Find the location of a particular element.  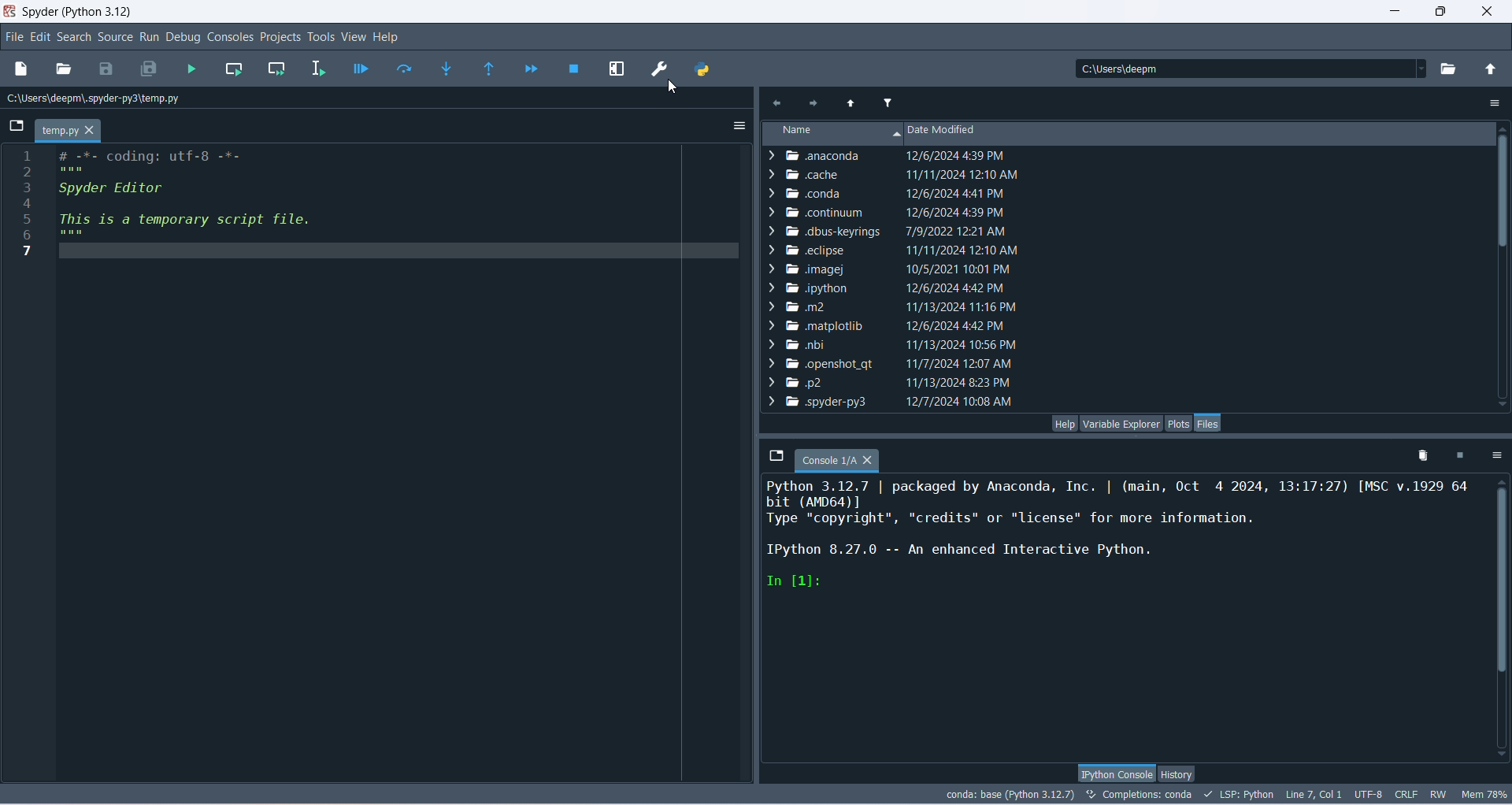

interrupt kernel is located at coordinates (1458, 458).